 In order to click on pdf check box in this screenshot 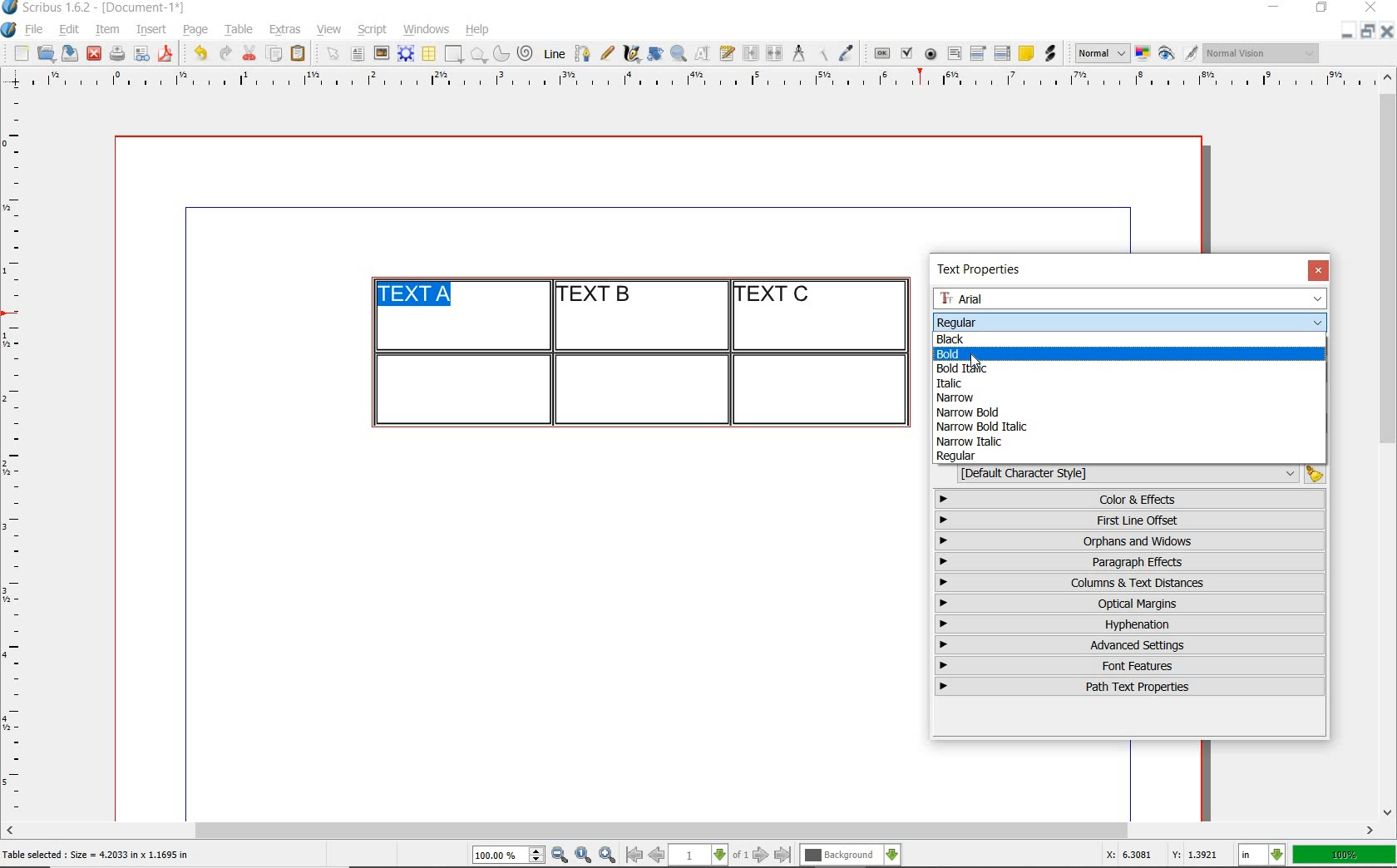, I will do `click(906, 54)`.